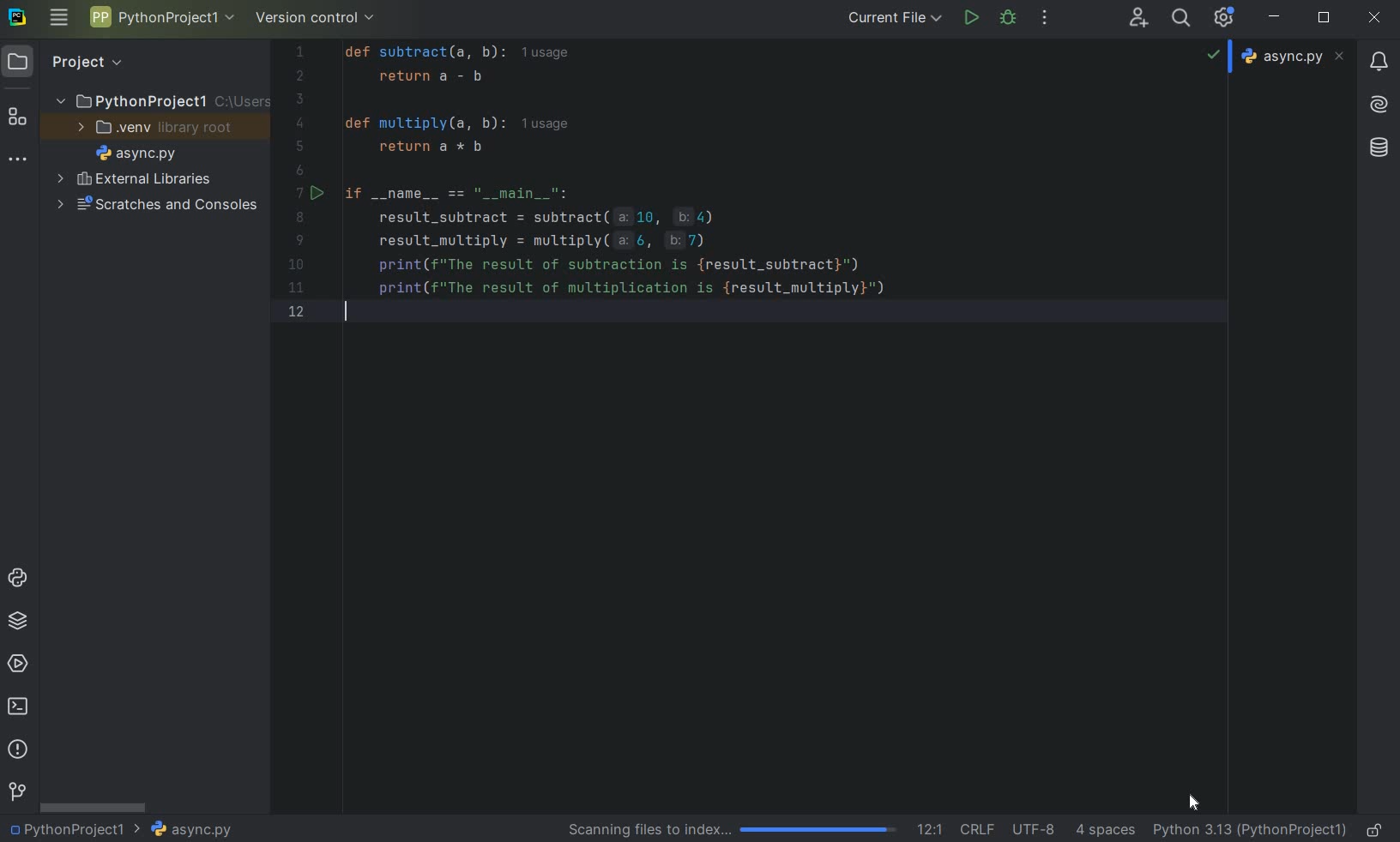 This screenshot has height=842, width=1400. I want to click on run, so click(970, 17).